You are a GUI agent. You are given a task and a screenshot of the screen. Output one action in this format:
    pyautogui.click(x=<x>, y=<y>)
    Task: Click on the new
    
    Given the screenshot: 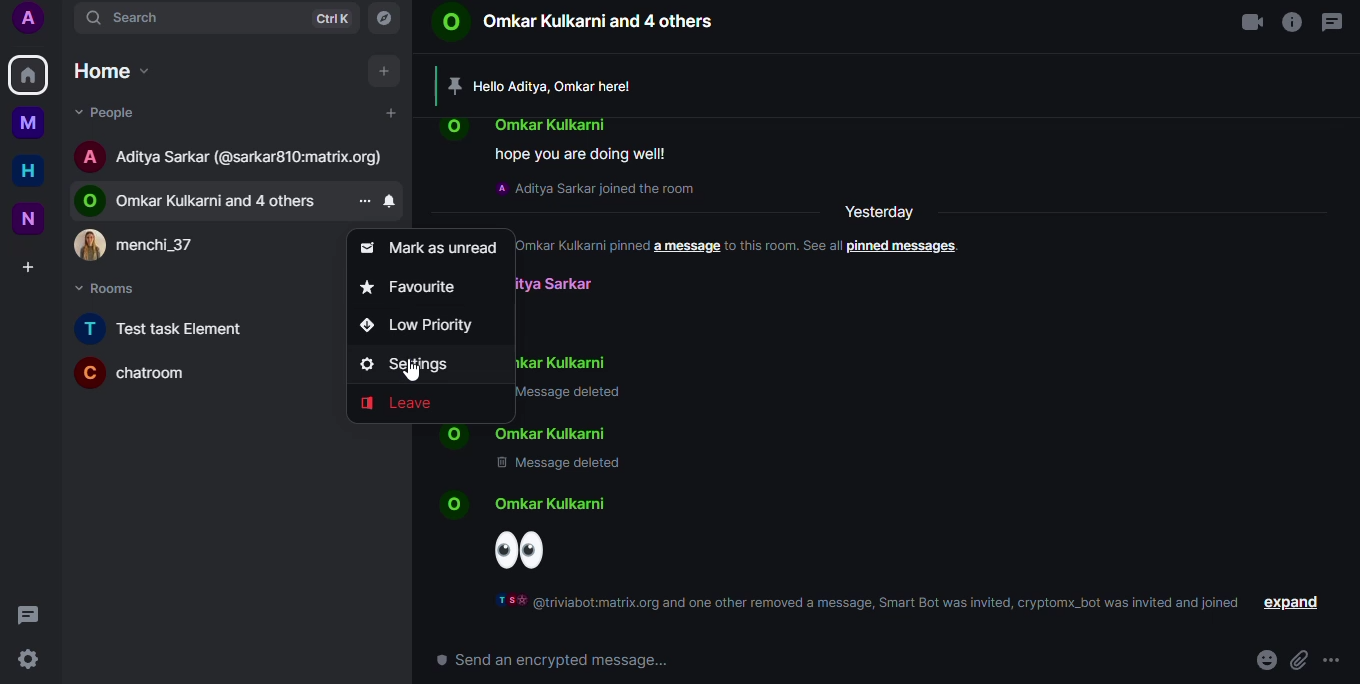 What is the action you would take?
    pyautogui.click(x=29, y=217)
    